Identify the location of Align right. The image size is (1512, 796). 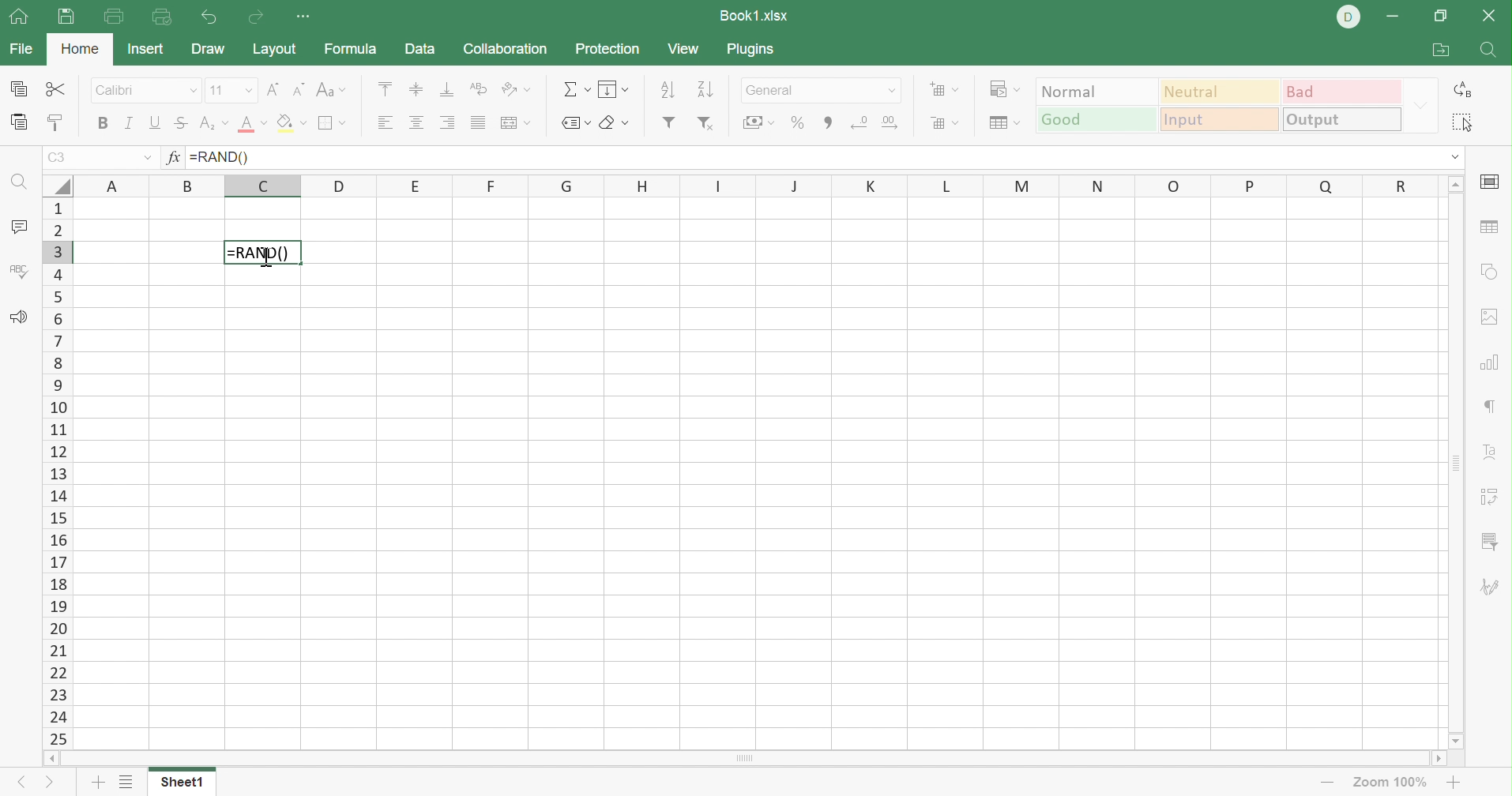
(446, 122).